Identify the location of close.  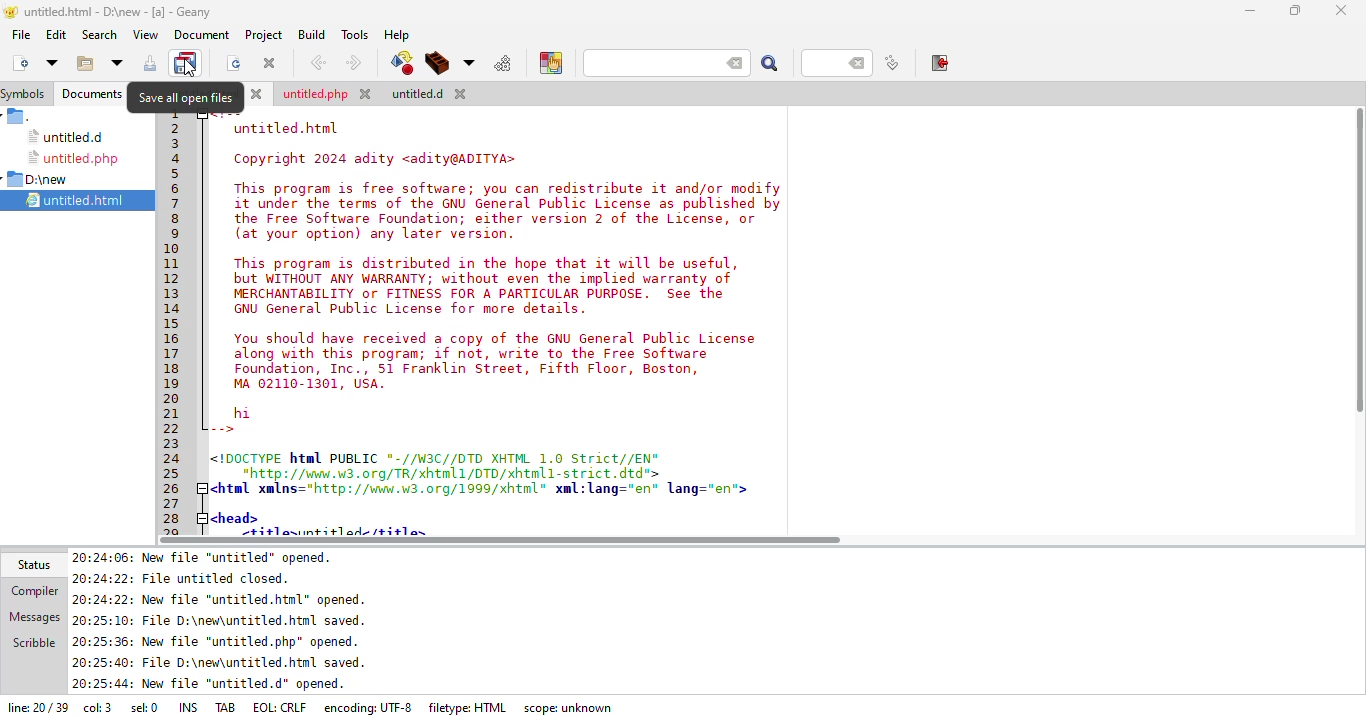
(256, 94).